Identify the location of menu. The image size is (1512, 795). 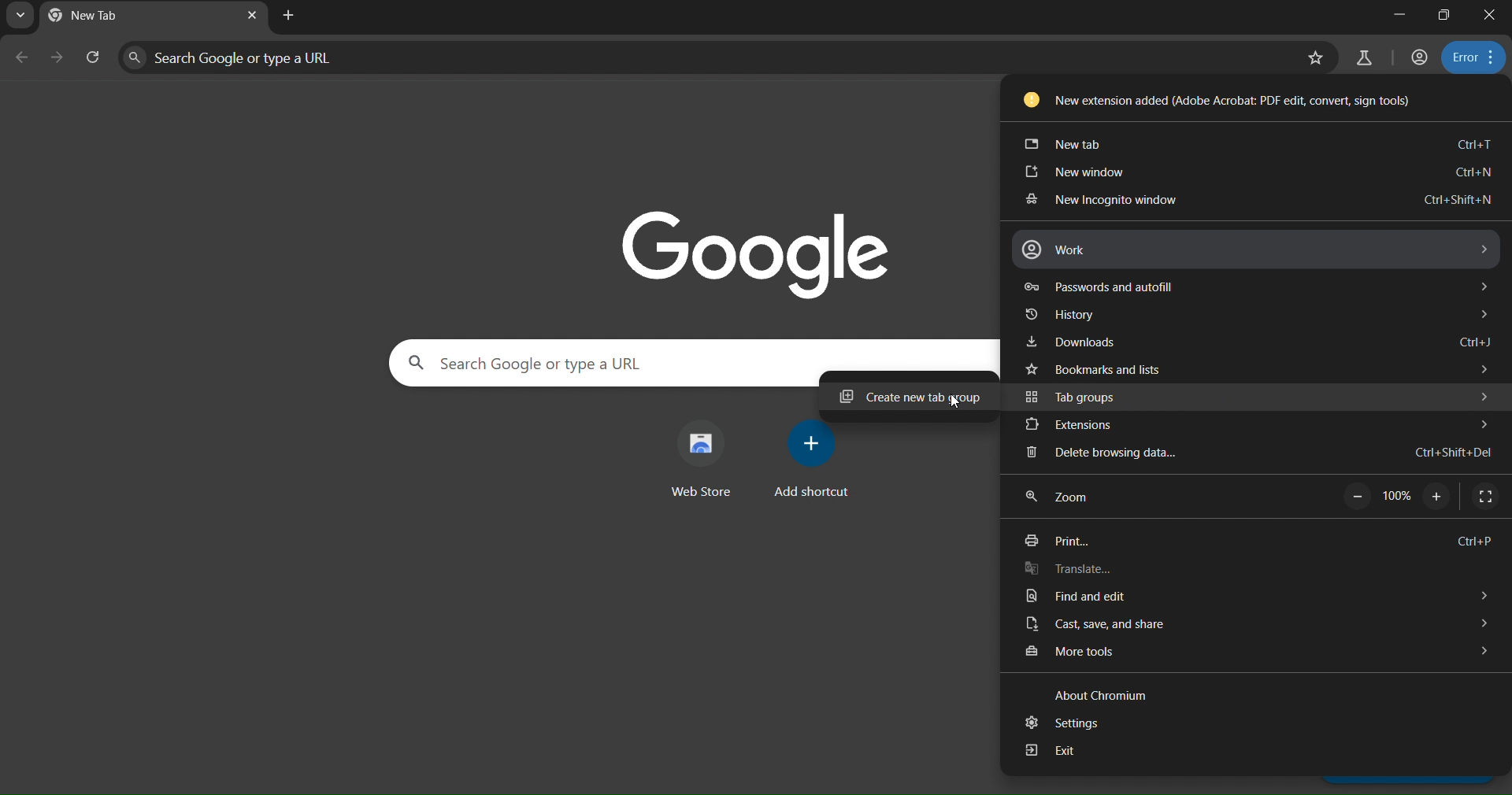
(1471, 57).